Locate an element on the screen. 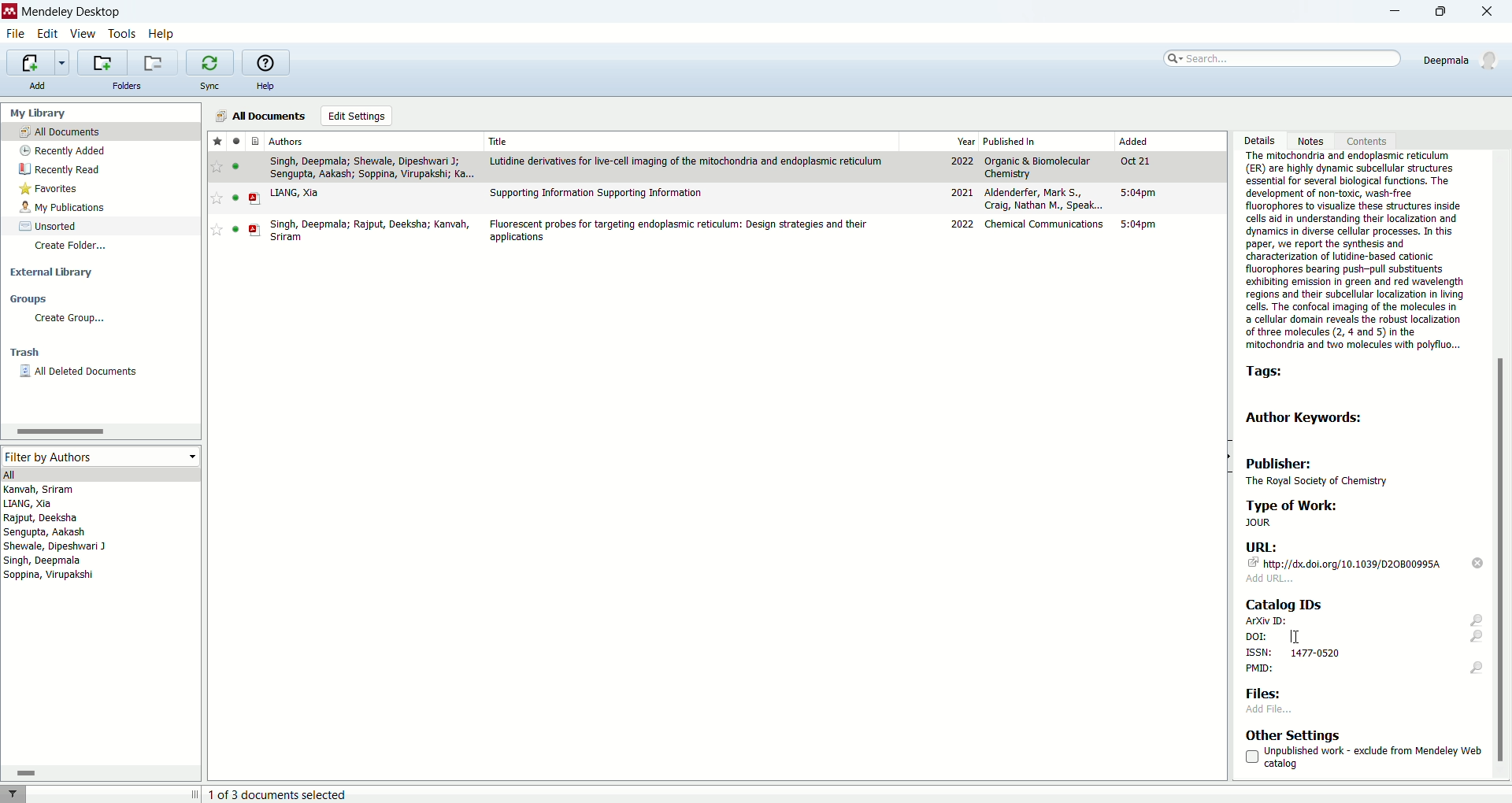 This screenshot has width=1512, height=803. recently read is located at coordinates (59, 169).